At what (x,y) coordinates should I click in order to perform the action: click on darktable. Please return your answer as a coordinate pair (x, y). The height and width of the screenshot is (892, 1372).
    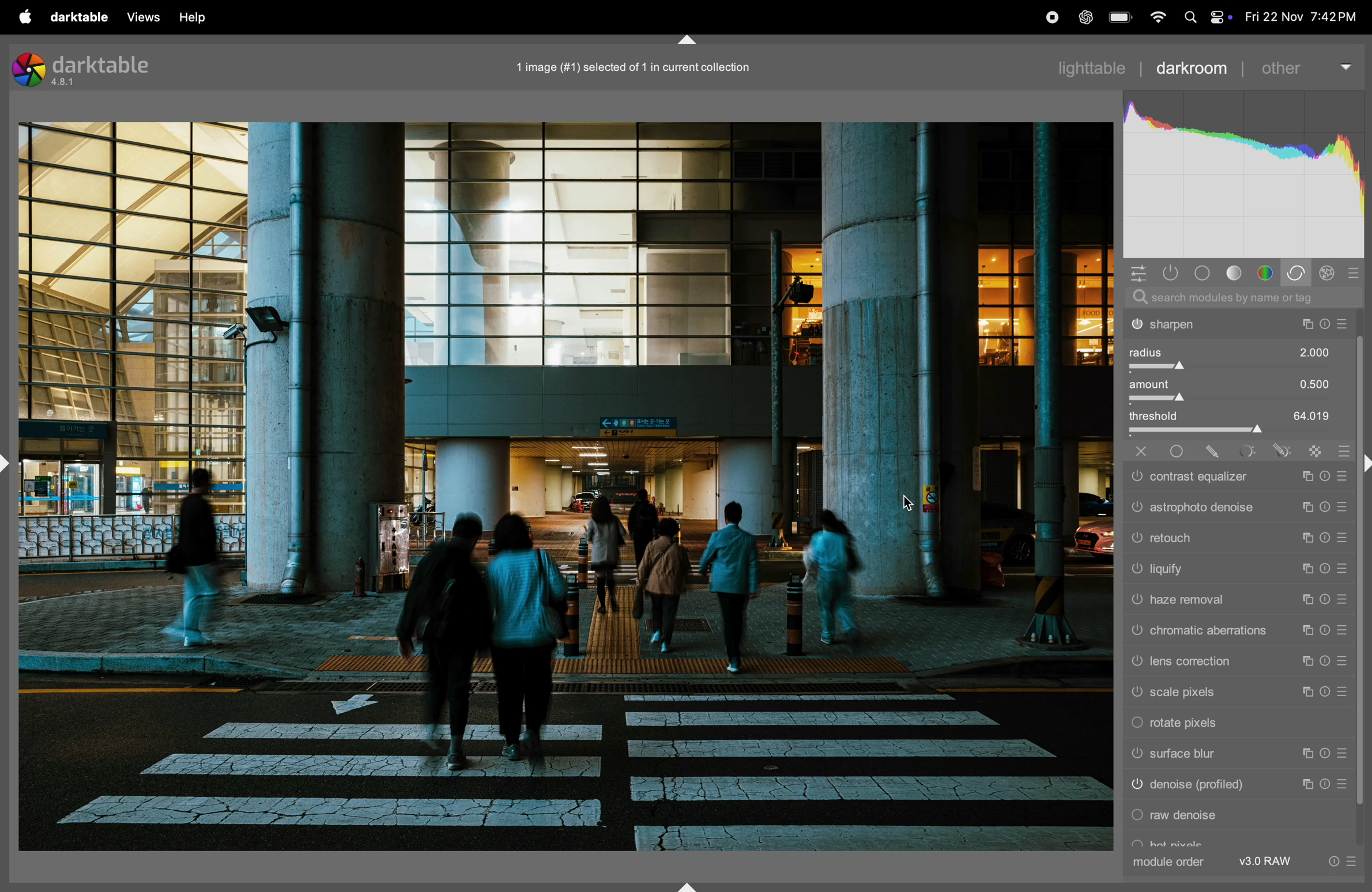
    Looking at the image, I should click on (78, 17).